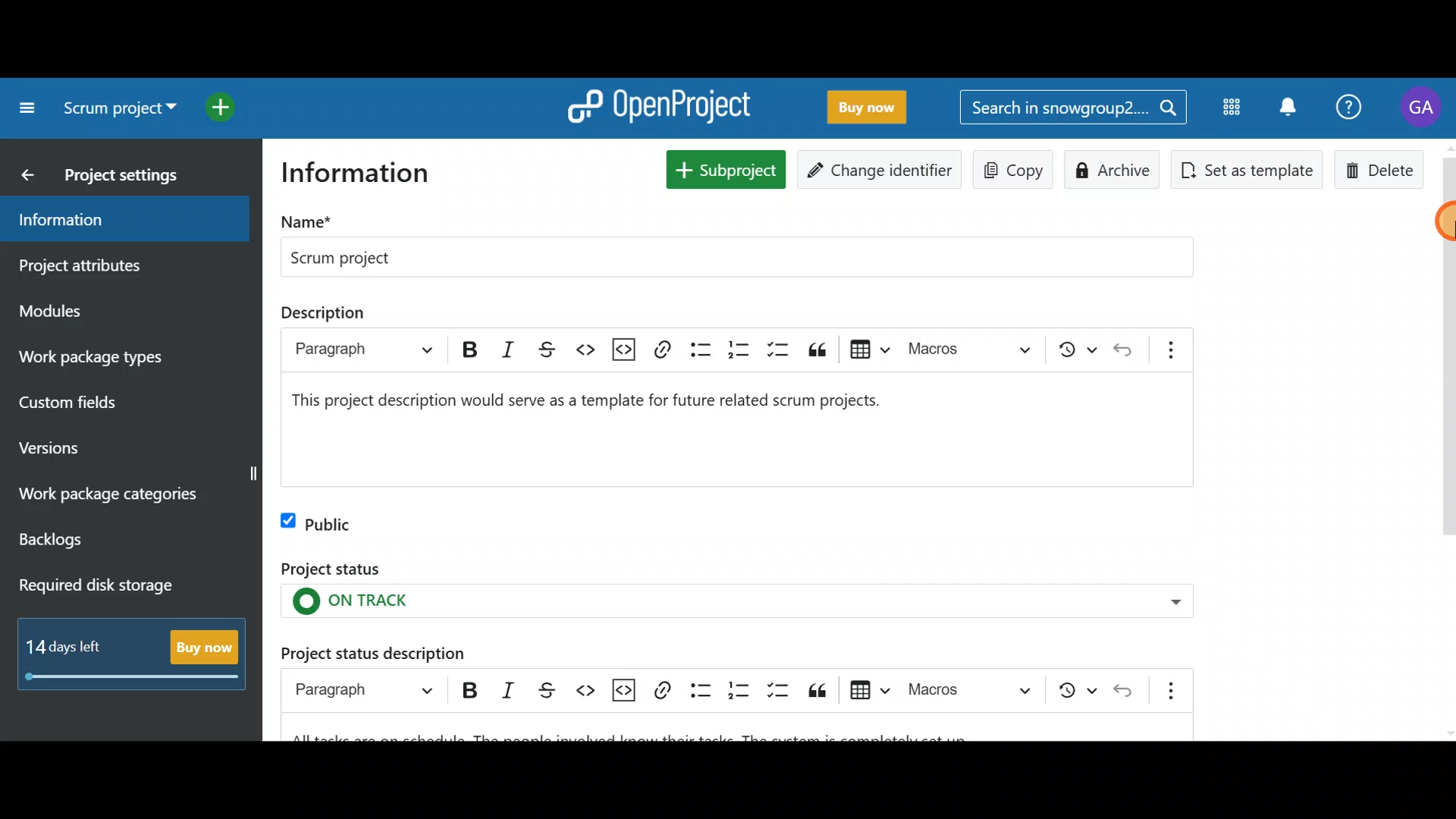 Image resolution: width=1456 pixels, height=819 pixels. I want to click on Modules, so click(1228, 111).